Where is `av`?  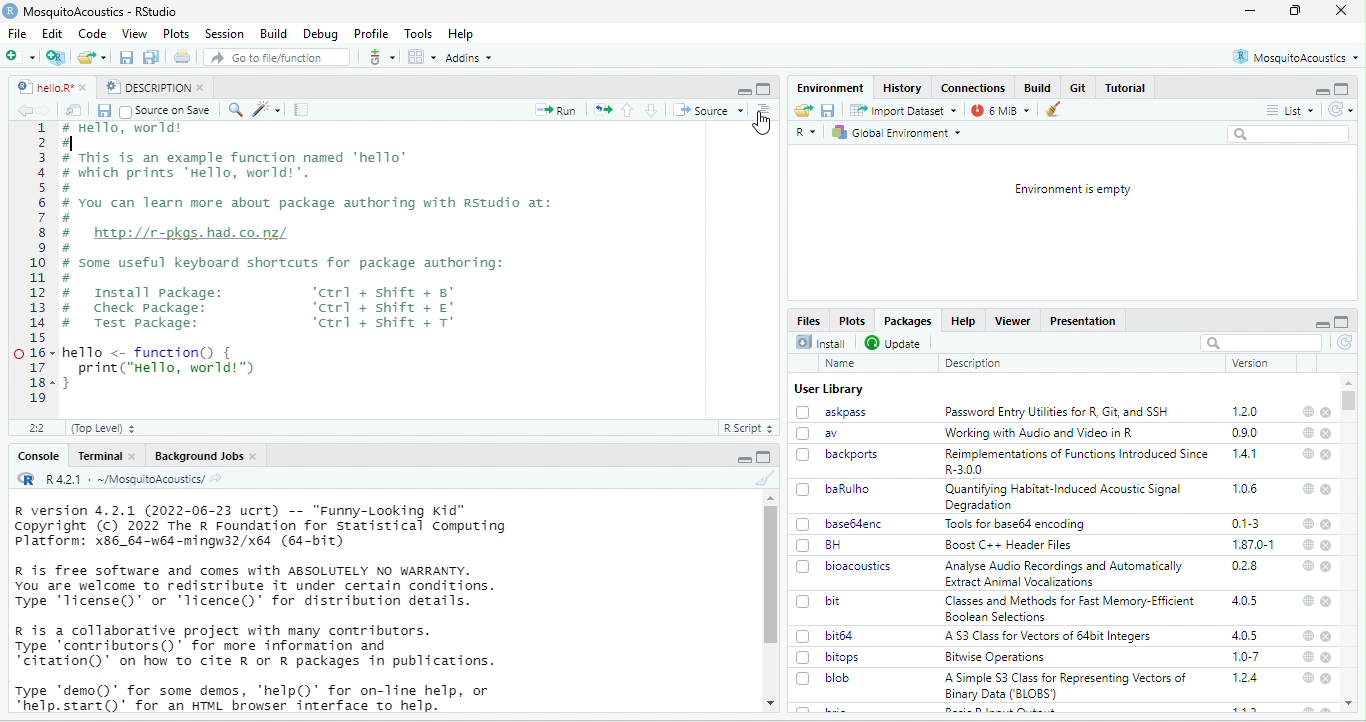 av is located at coordinates (824, 433).